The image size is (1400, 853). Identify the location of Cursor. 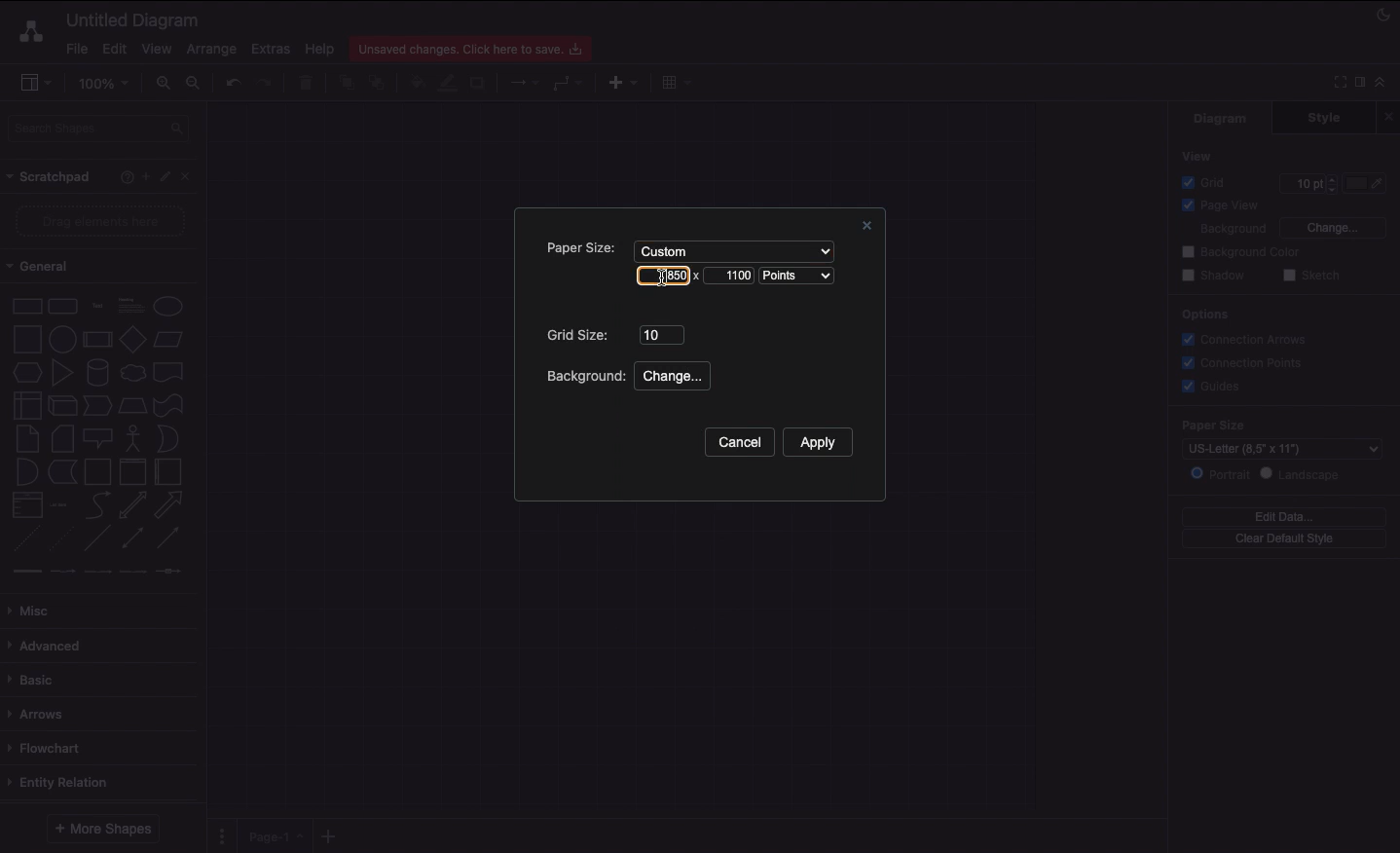
(665, 278).